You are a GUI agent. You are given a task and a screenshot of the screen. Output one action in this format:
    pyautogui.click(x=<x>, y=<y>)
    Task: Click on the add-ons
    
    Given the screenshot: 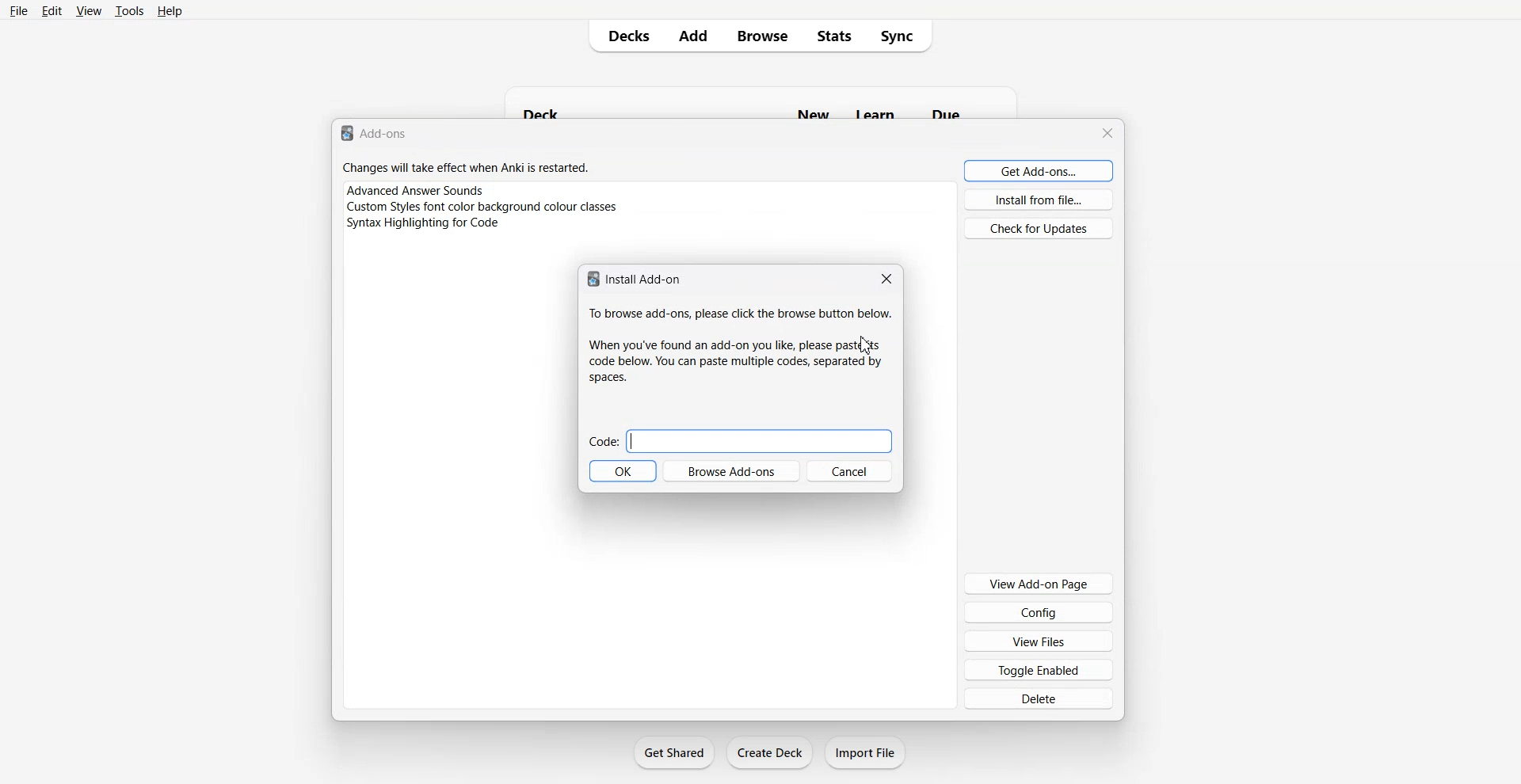 What is the action you would take?
    pyautogui.click(x=388, y=135)
    